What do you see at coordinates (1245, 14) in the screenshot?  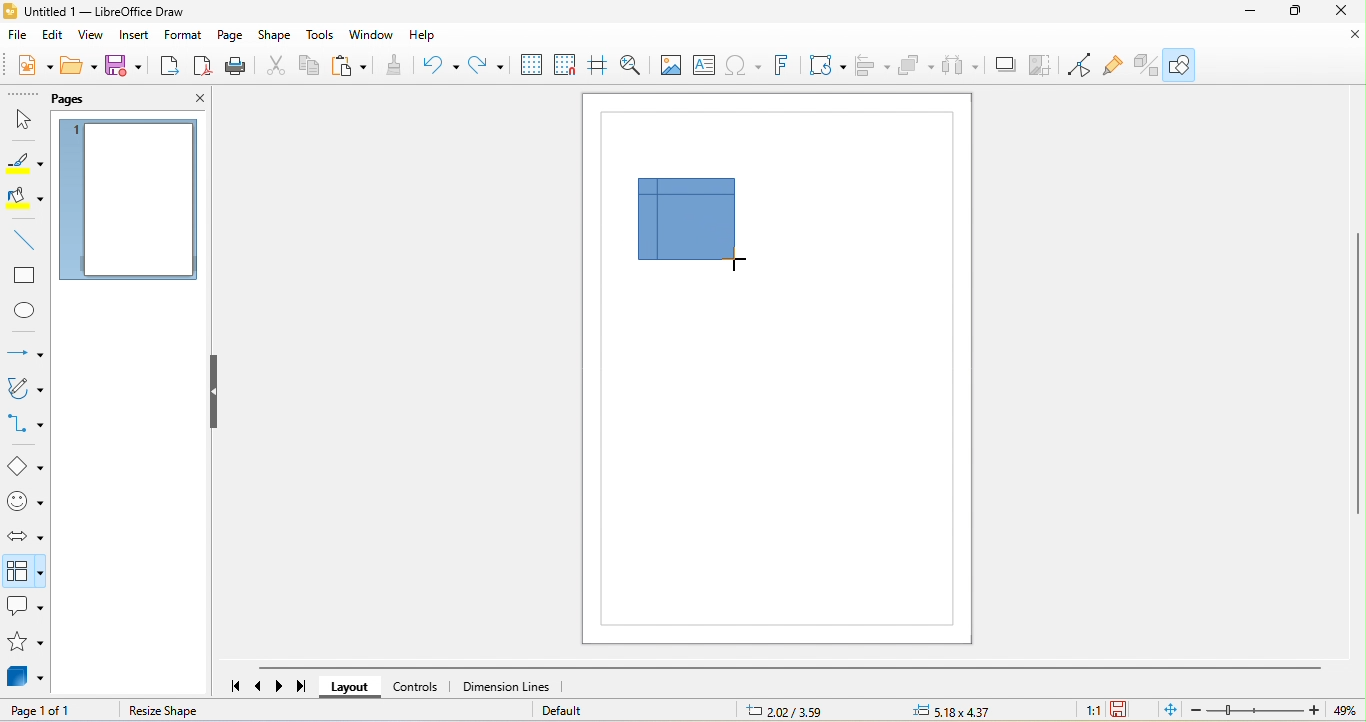 I see `minimize` at bounding box center [1245, 14].